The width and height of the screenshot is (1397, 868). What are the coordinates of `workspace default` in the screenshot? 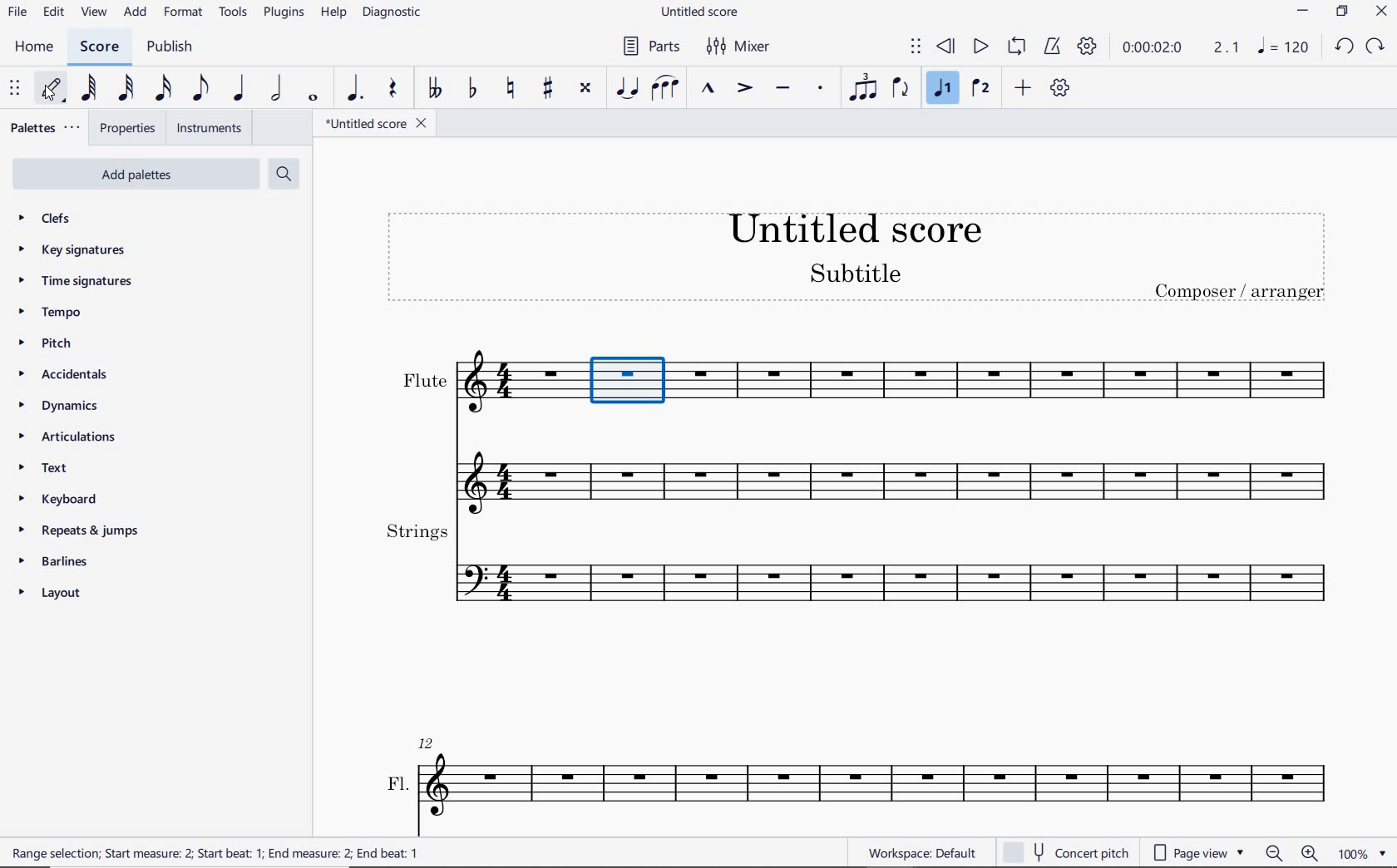 It's located at (921, 853).